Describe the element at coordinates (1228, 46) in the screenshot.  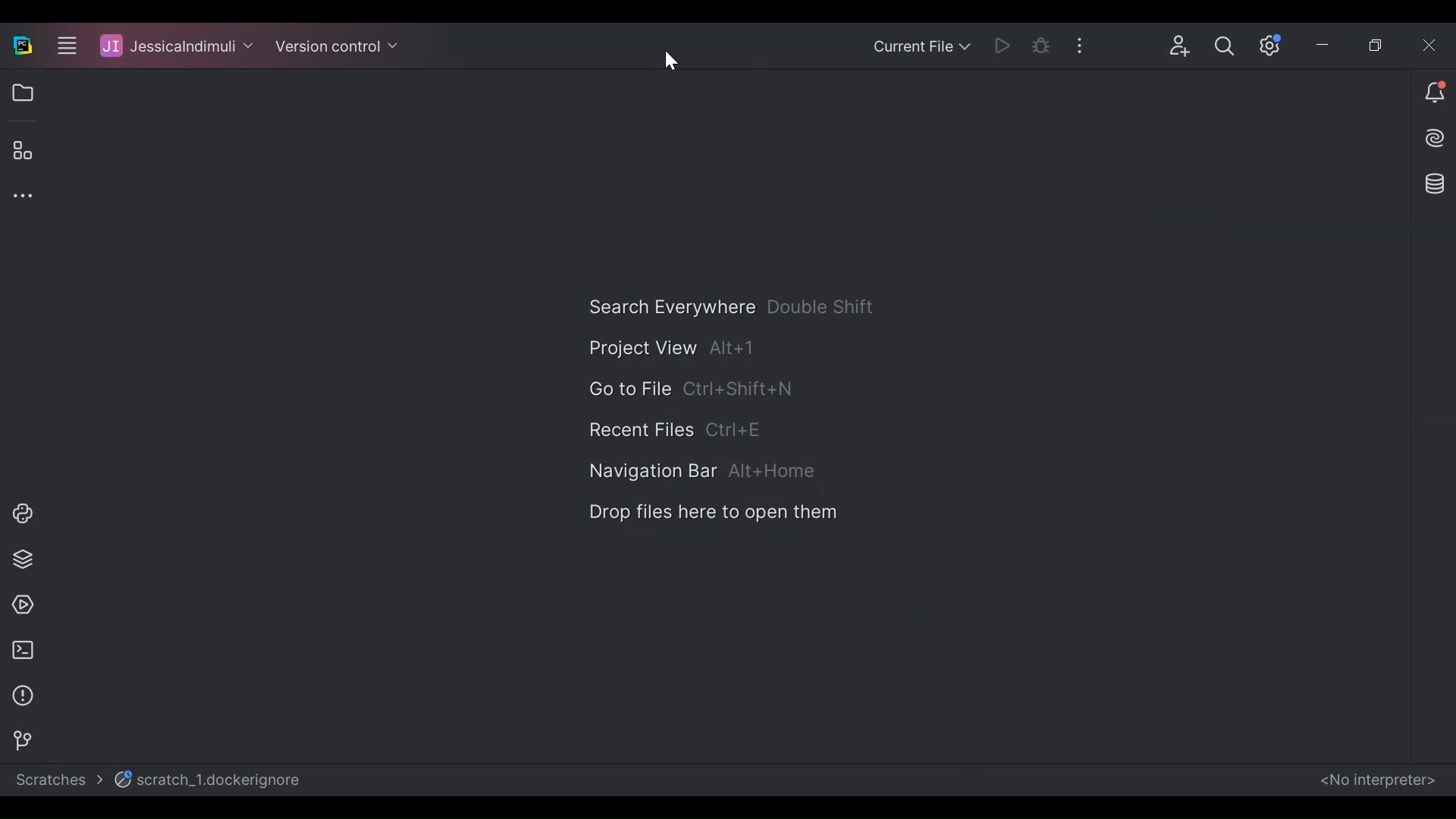
I see `` at that location.